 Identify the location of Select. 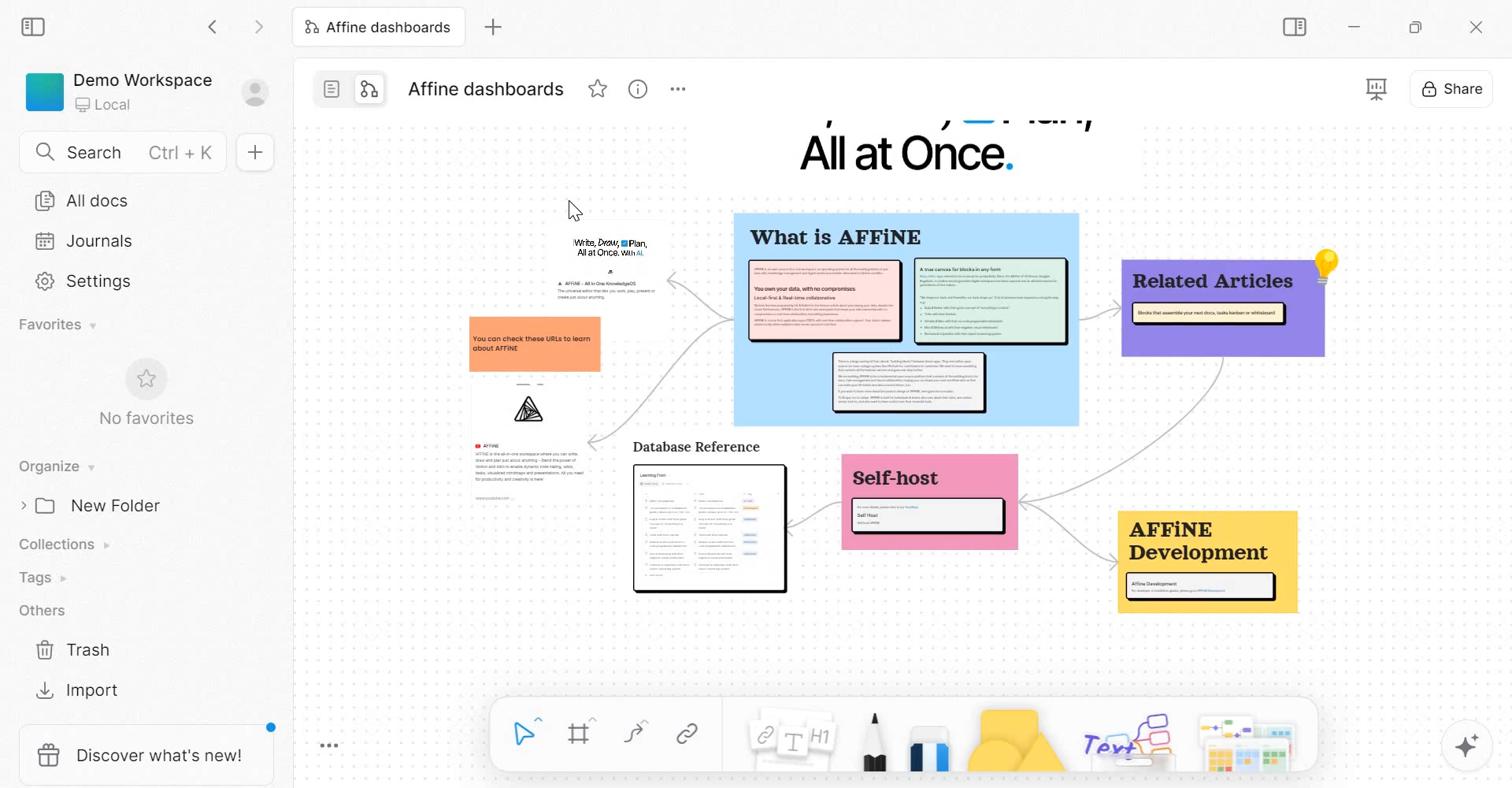
(527, 731).